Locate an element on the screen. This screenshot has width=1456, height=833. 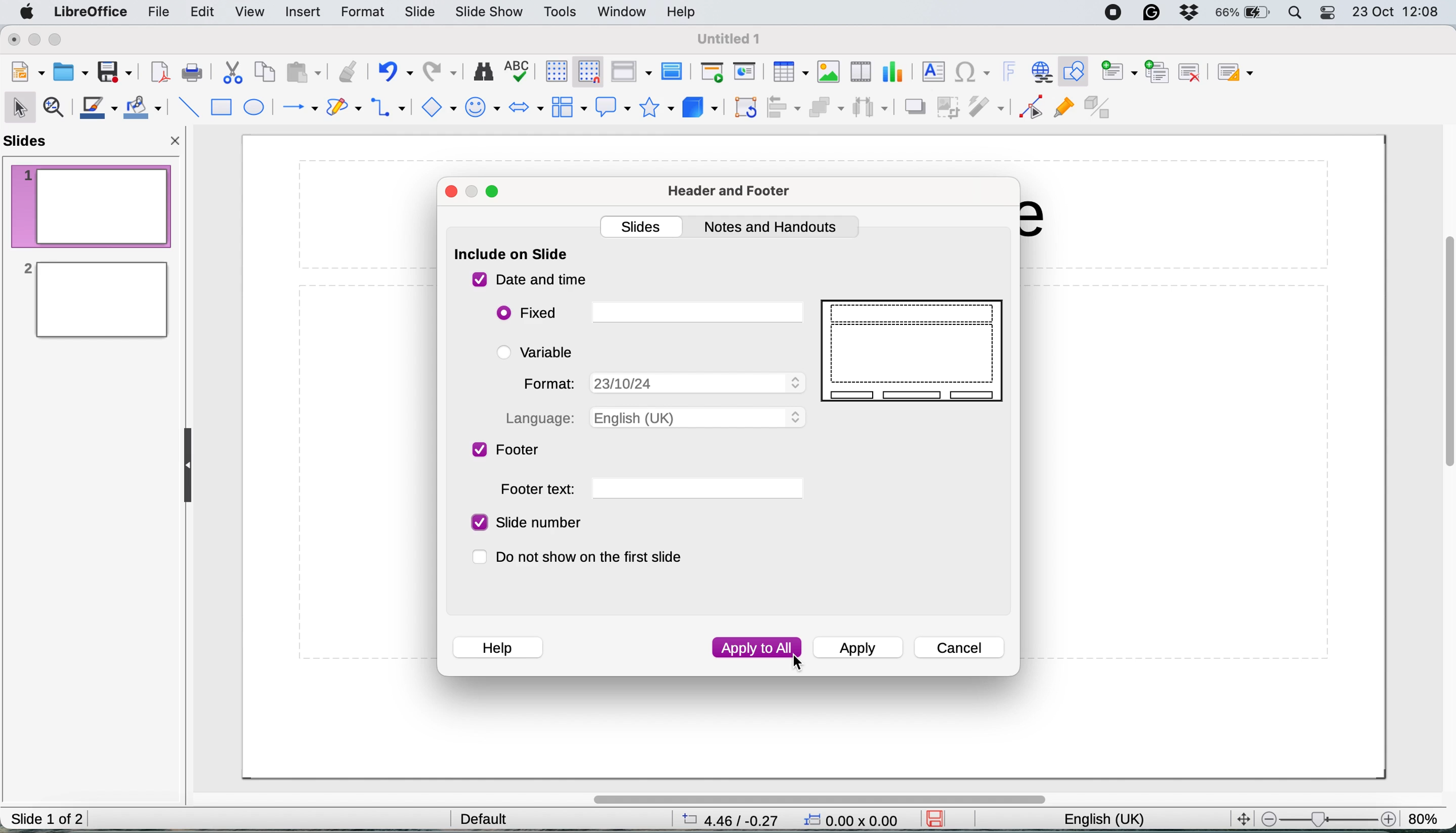
grammarly is located at coordinates (1153, 14).